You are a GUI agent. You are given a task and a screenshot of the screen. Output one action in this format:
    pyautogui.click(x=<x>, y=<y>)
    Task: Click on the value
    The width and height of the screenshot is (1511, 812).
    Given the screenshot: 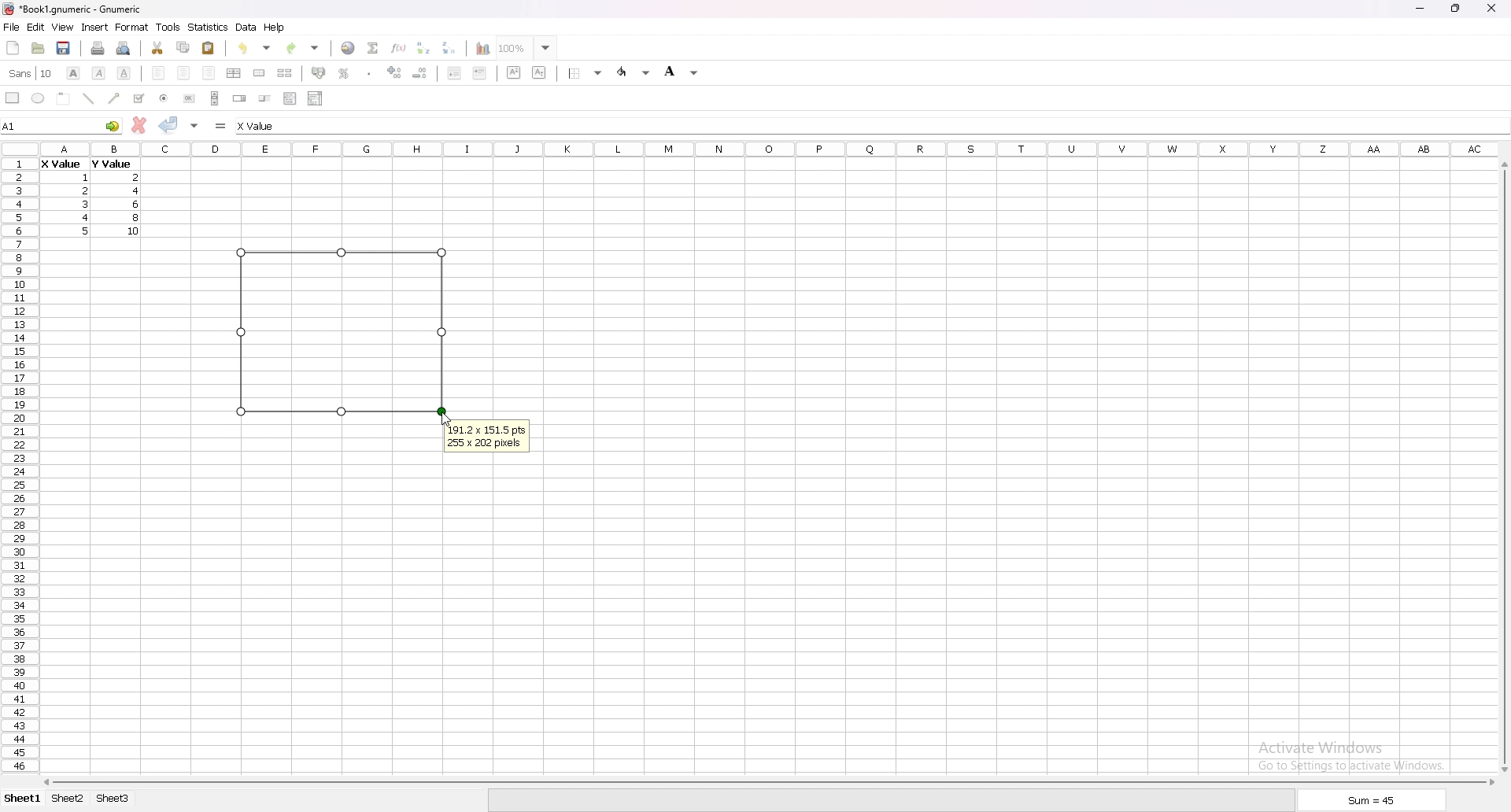 What is the action you would take?
    pyautogui.click(x=140, y=191)
    